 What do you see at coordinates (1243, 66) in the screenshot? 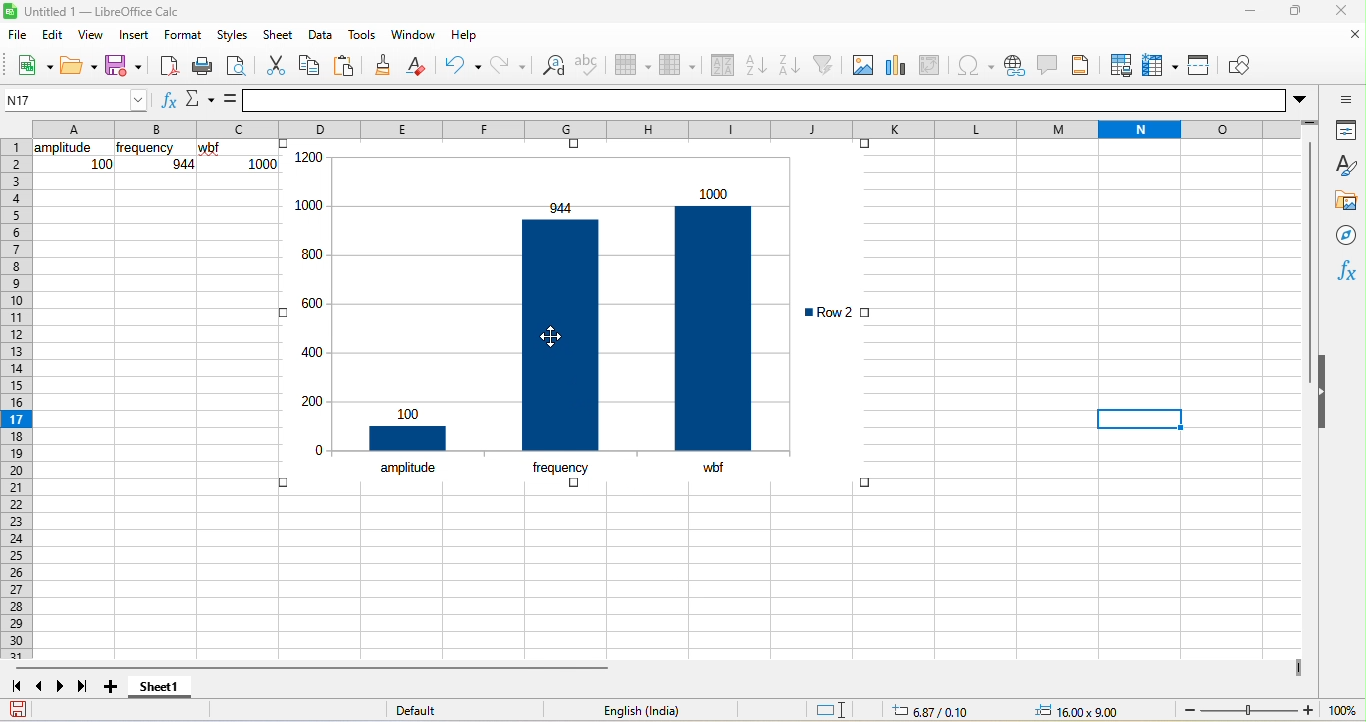
I see `show draw function` at bounding box center [1243, 66].